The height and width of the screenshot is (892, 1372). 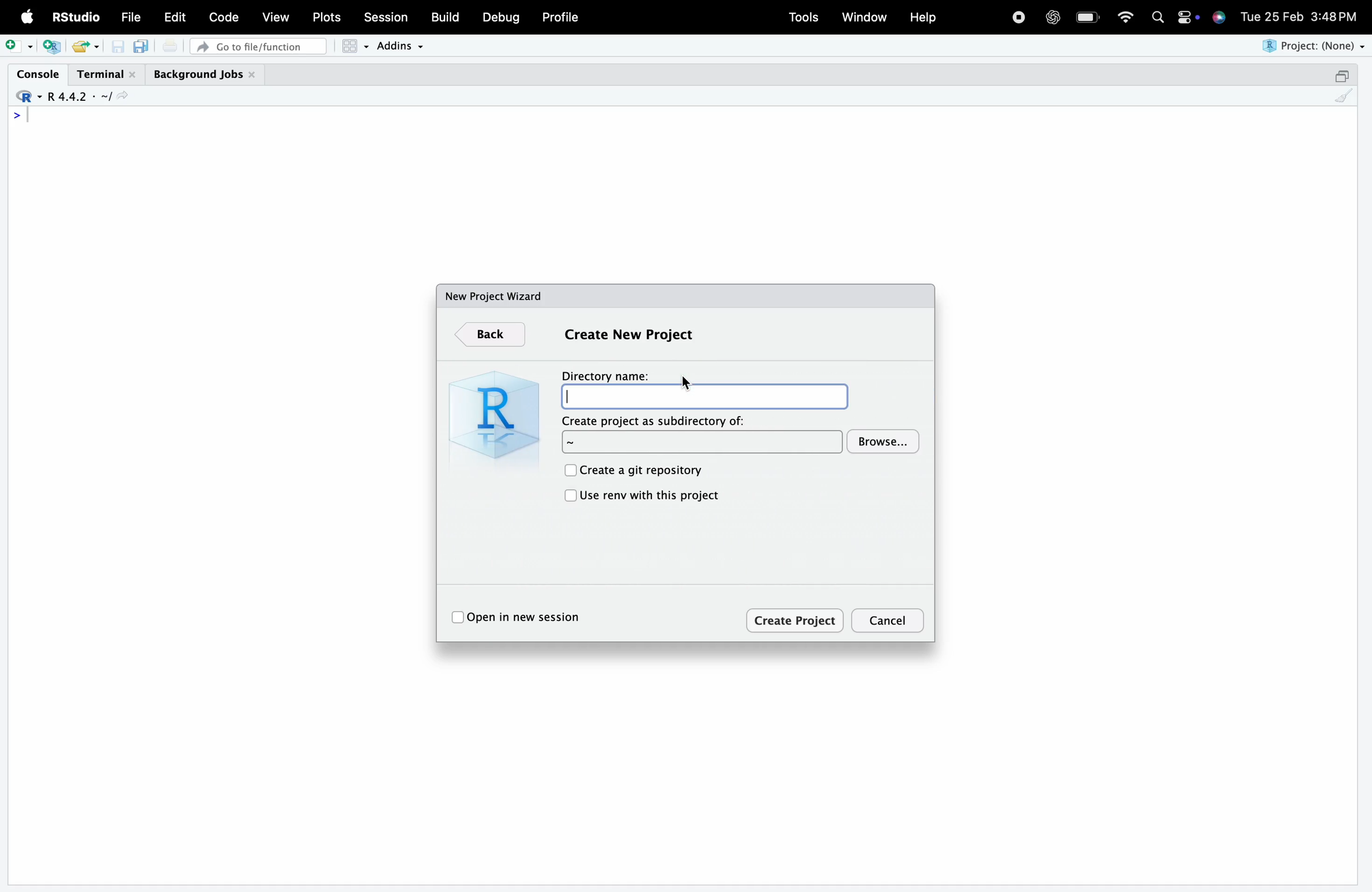 What do you see at coordinates (386, 16) in the screenshot?
I see `Session` at bounding box center [386, 16].